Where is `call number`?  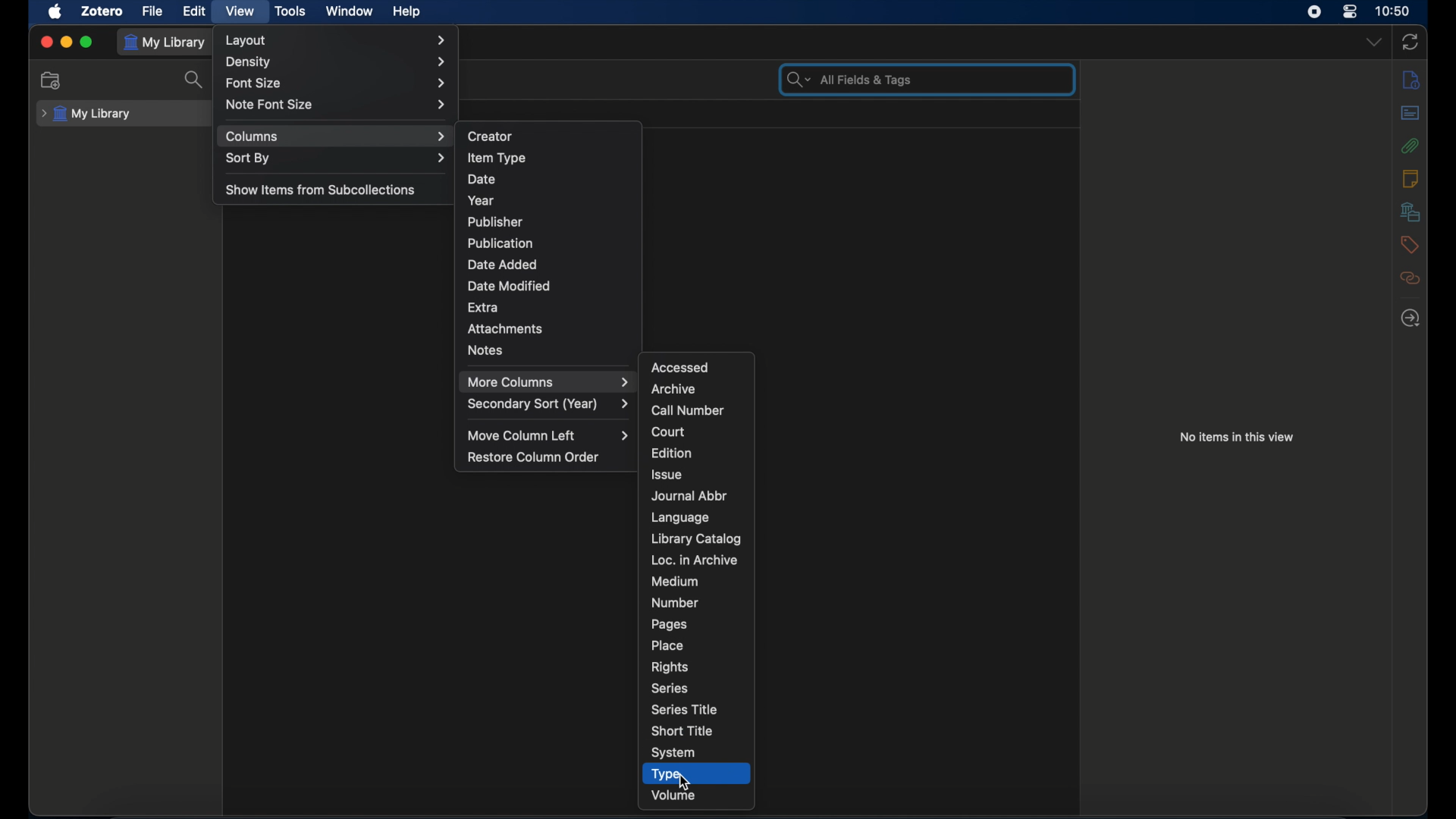
call number is located at coordinates (691, 410).